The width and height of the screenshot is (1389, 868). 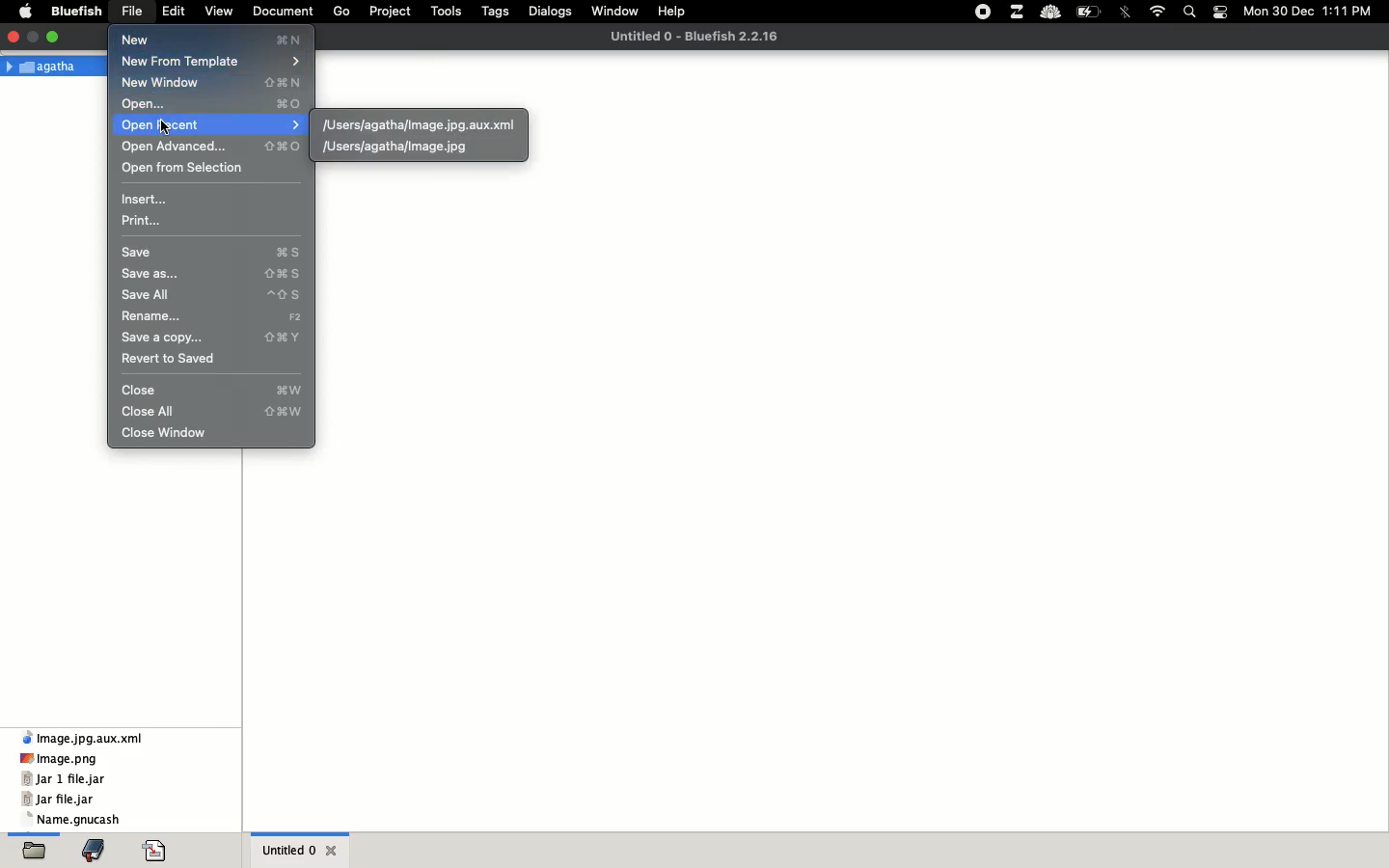 I want to click on save a copy...    command Y, so click(x=213, y=337).